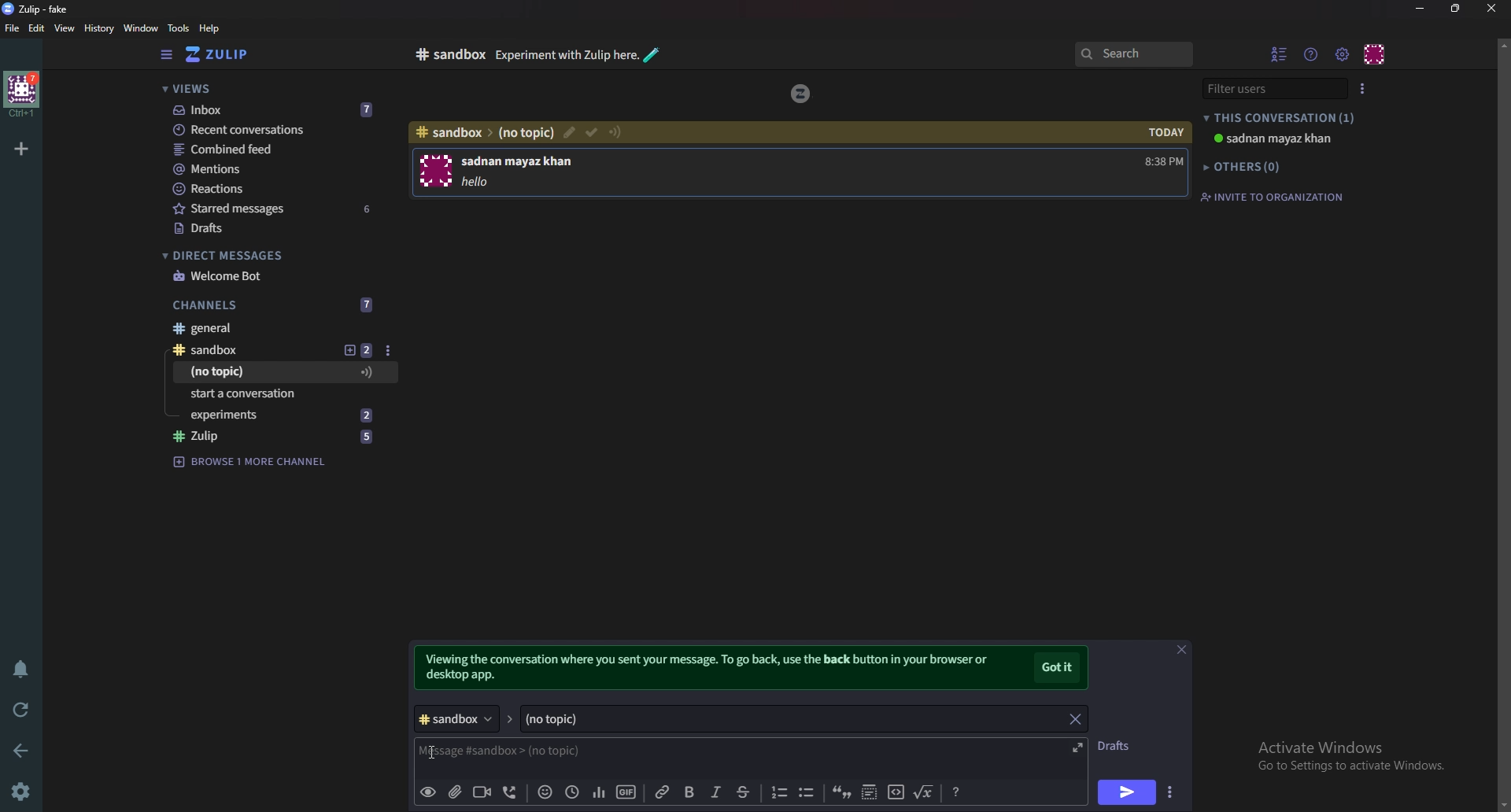  I want to click on welcome bot, so click(273, 275).